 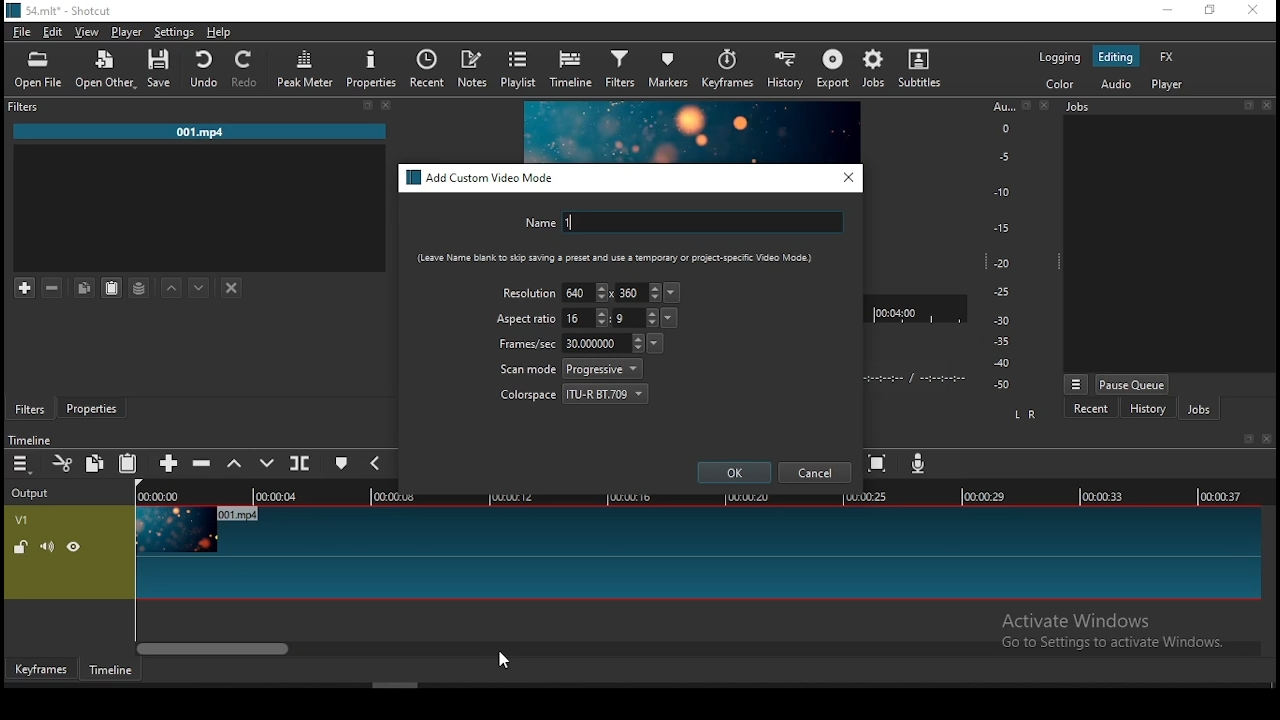 What do you see at coordinates (1002, 155) in the screenshot?
I see `-5` at bounding box center [1002, 155].